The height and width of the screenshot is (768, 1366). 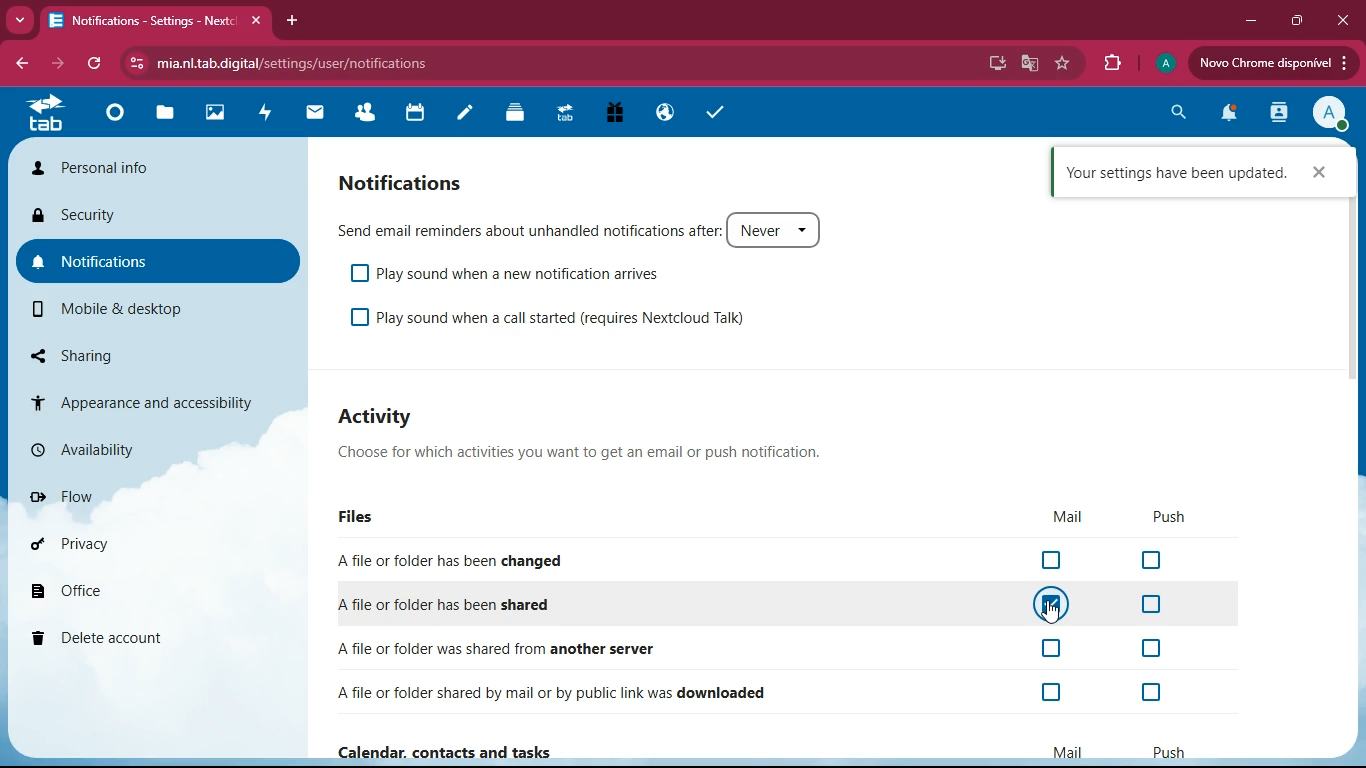 I want to click on play sound, so click(x=551, y=319).